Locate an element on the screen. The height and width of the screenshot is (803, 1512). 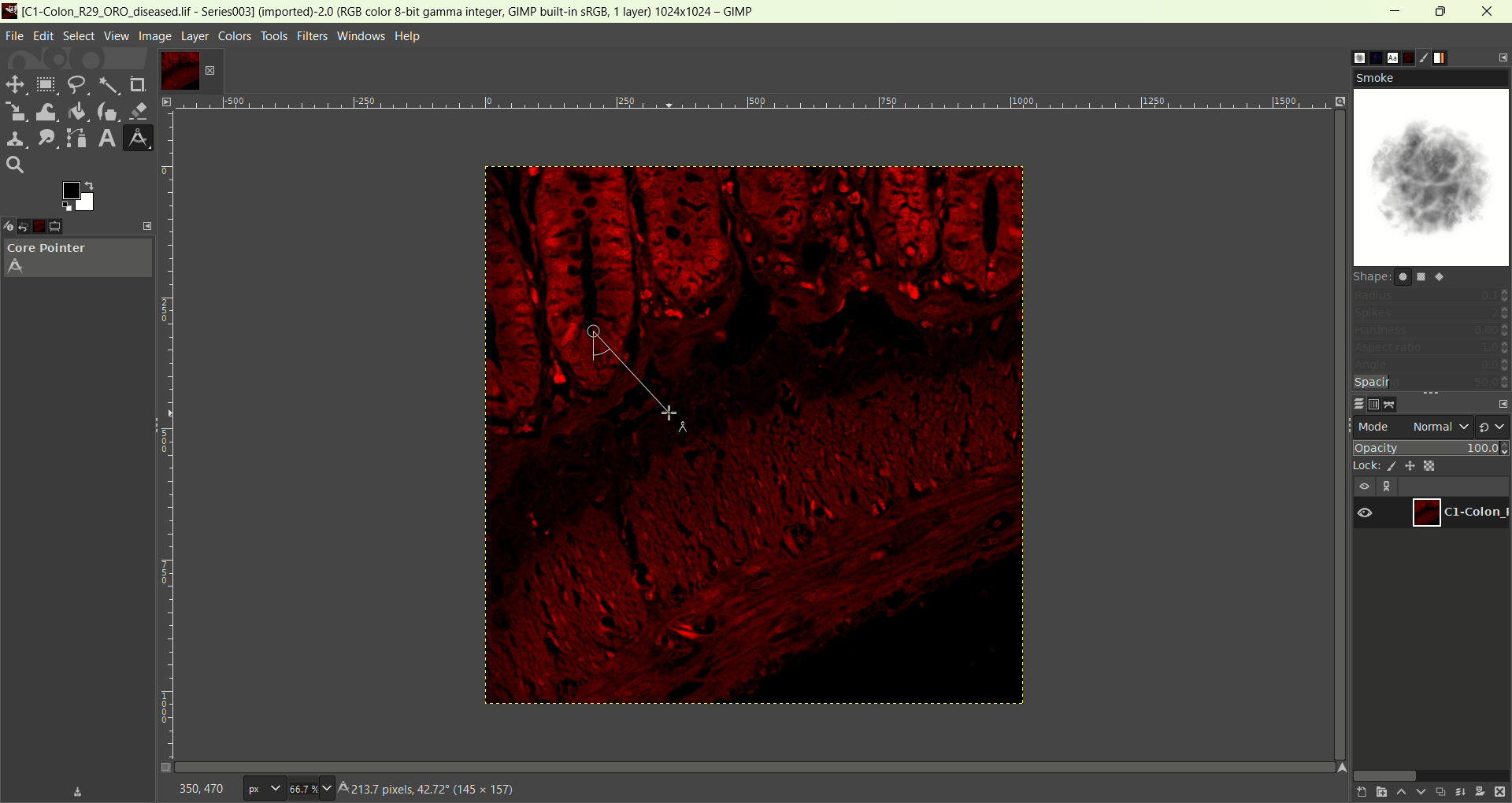
filters is located at coordinates (313, 36).